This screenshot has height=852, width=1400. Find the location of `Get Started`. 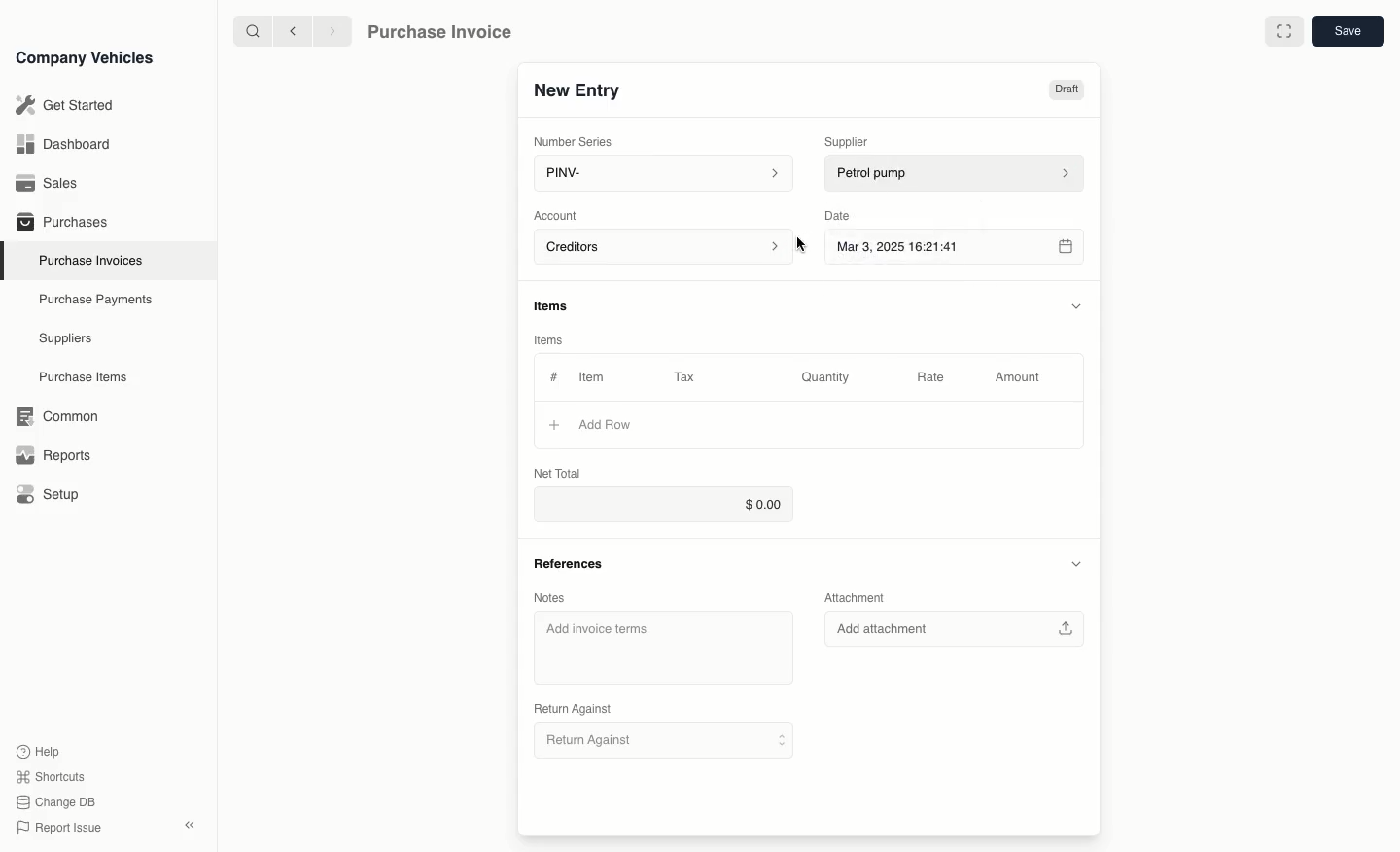

Get Started is located at coordinates (61, 105).